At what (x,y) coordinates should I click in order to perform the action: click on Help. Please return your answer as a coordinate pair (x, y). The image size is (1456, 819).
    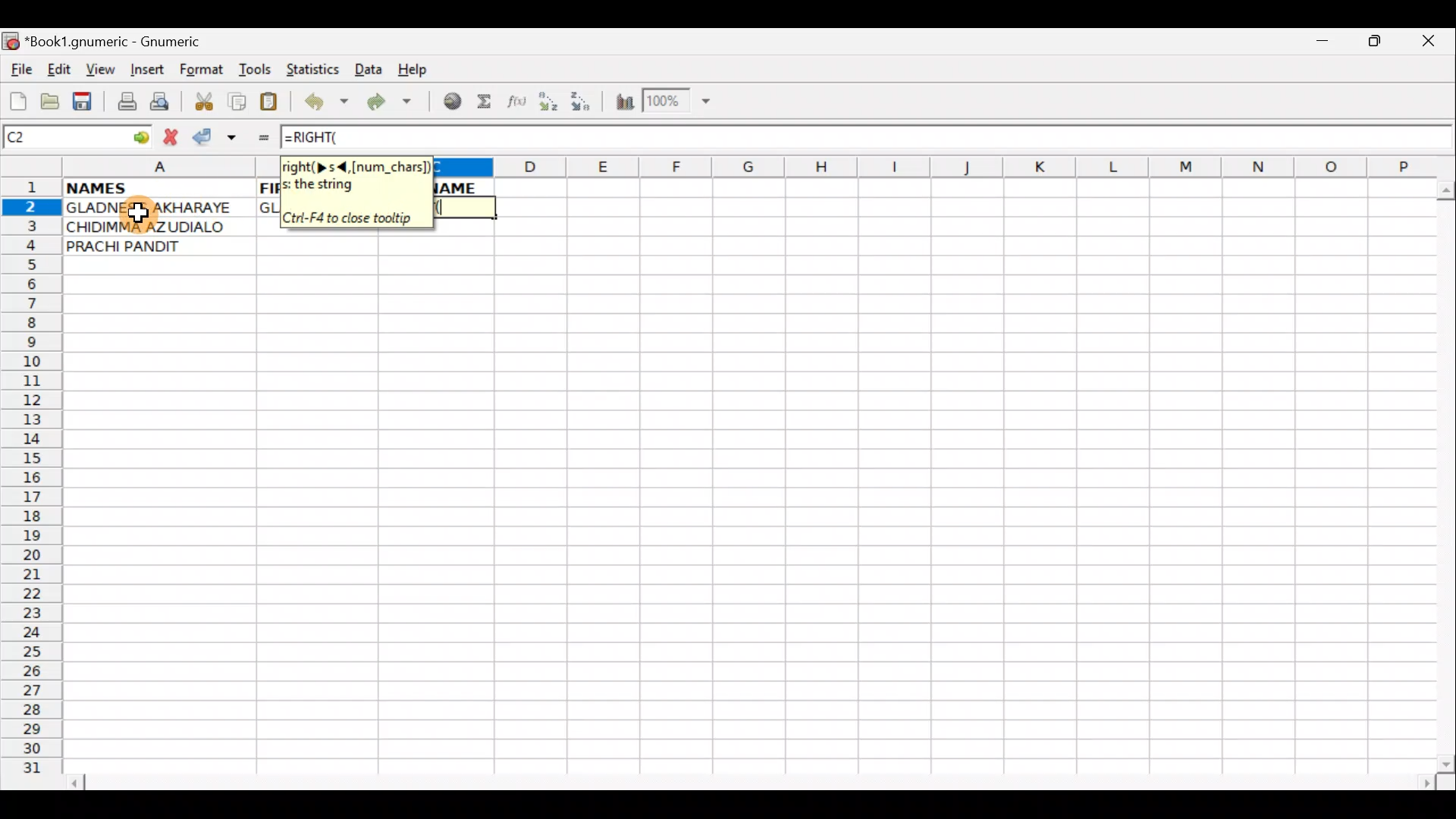
    Looking at the image, I should click on (413, 70).